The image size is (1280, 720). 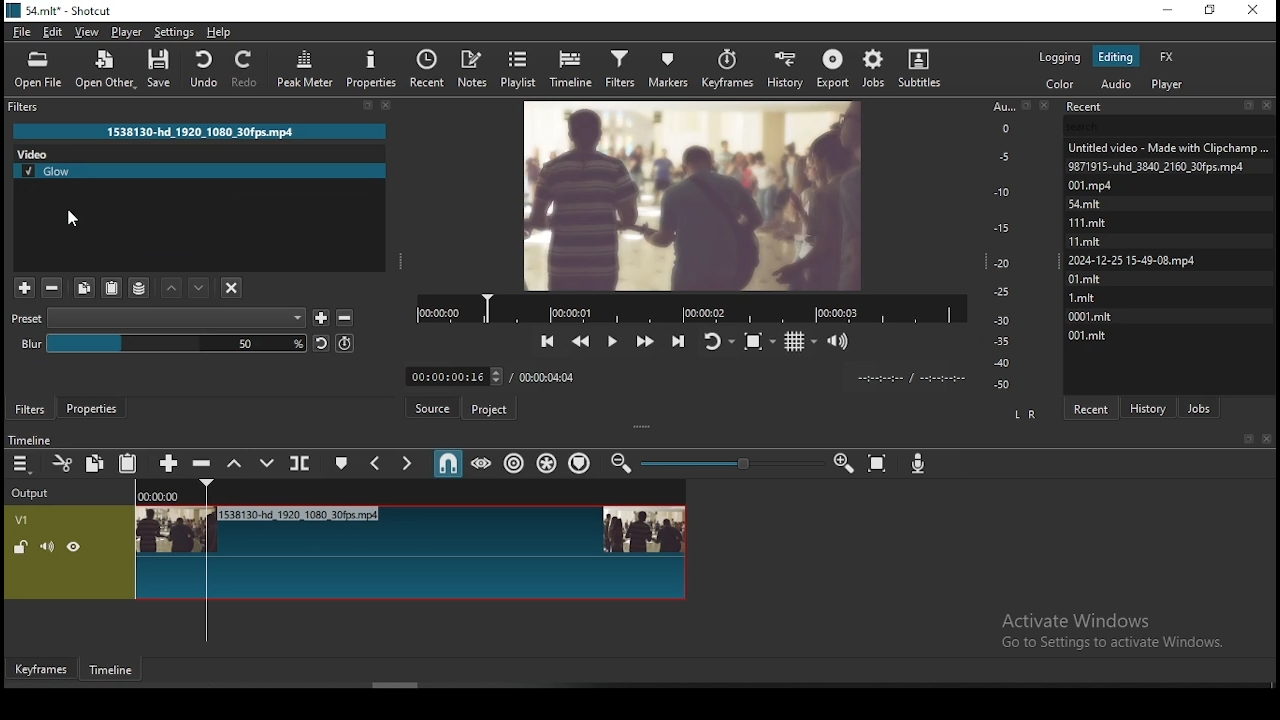 I want to click on undo, so click(x=201, y=66).